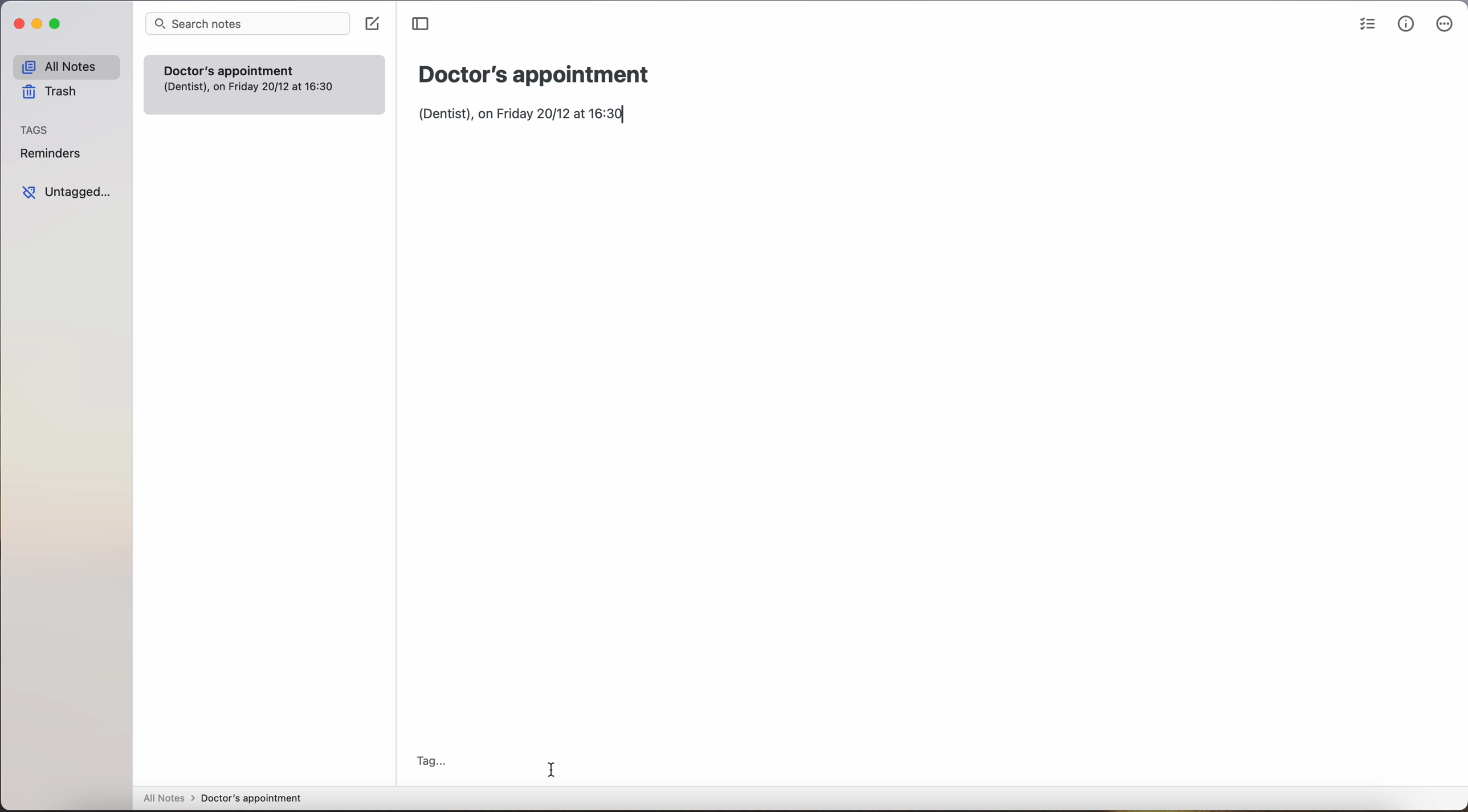 This screenshot has width=1468, height=812. What do you see at coordinates (552, 767) in the screenshot?
I see `cursor` at bounding box center [552, 767].